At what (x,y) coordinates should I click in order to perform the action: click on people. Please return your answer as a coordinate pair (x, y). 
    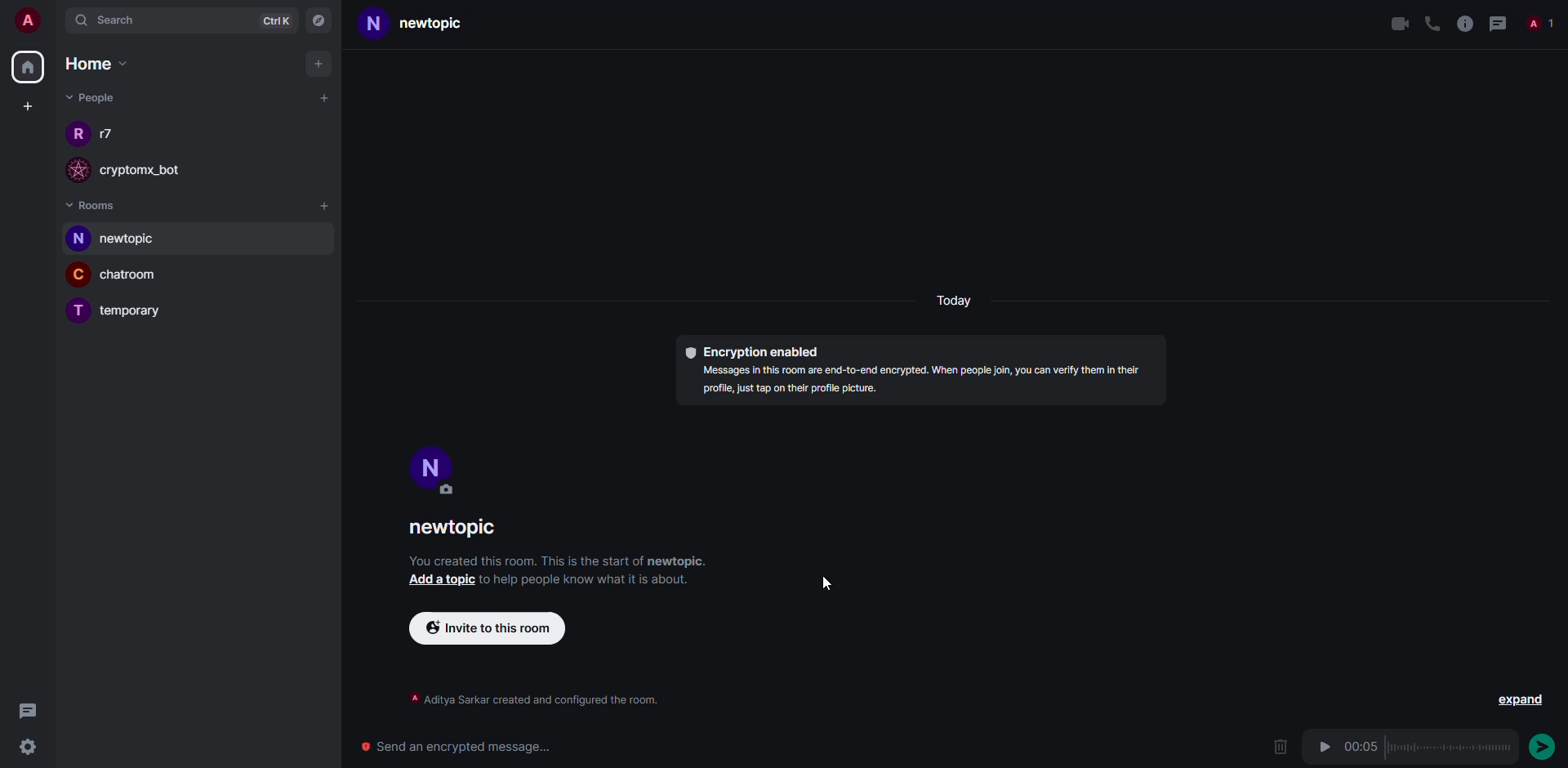
    Looking at the image, I should click on (109, 134).